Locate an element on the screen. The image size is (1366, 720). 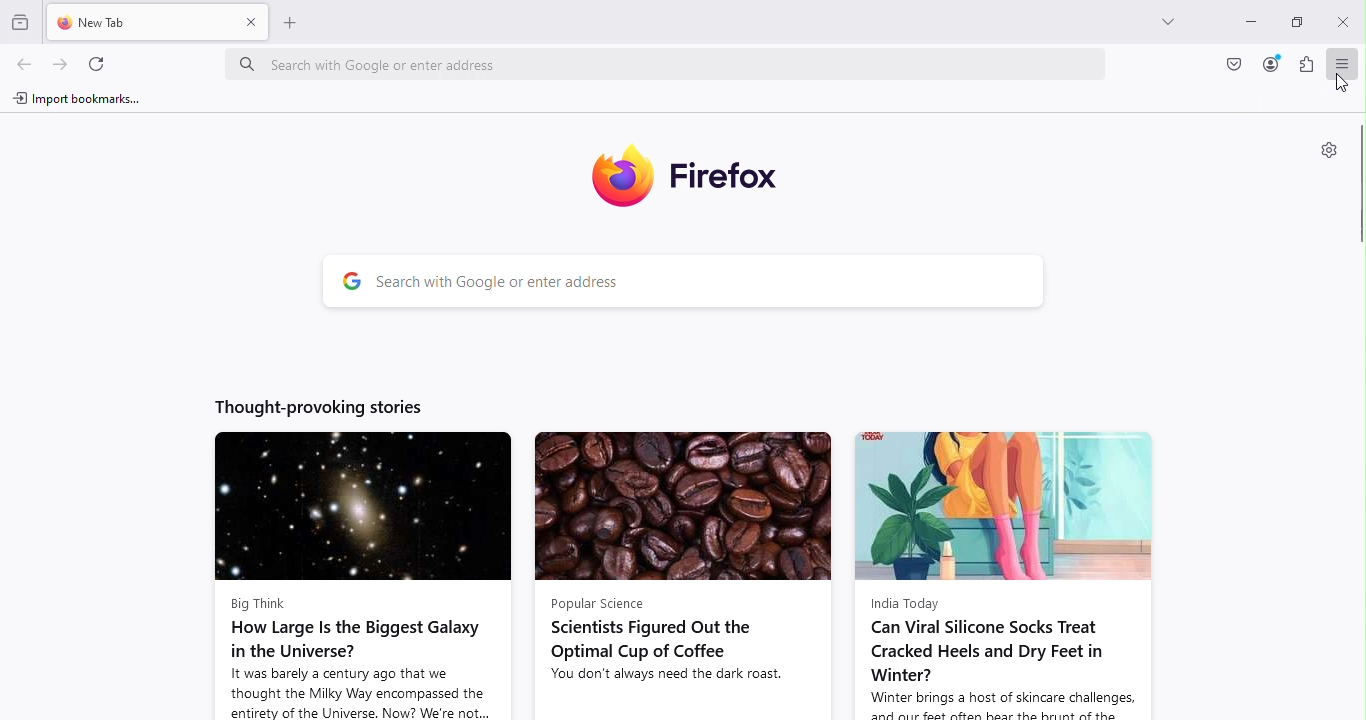
Close tab is located at coordinates (246, 20).